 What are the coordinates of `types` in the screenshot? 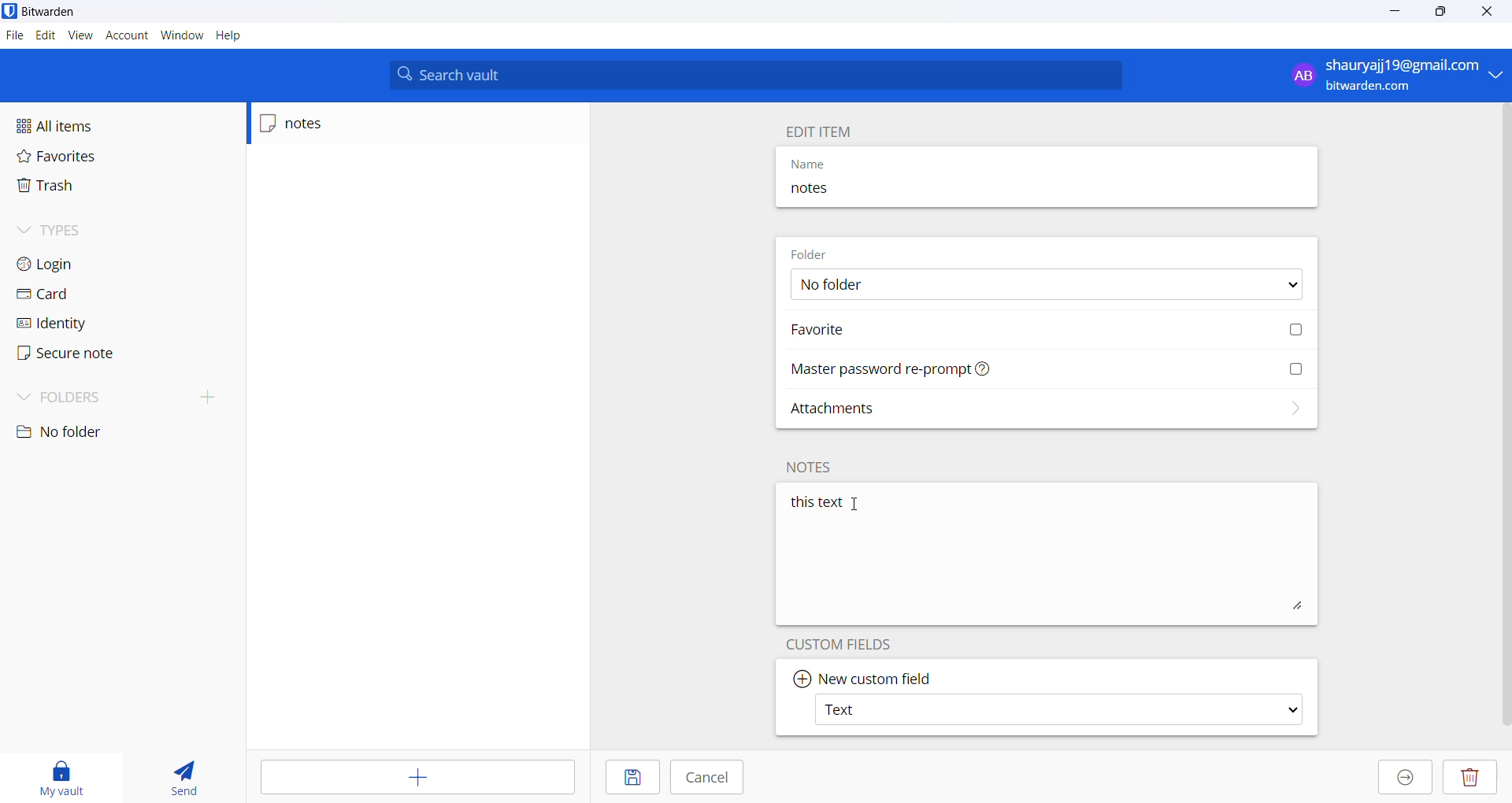 It's located at (72, 230).